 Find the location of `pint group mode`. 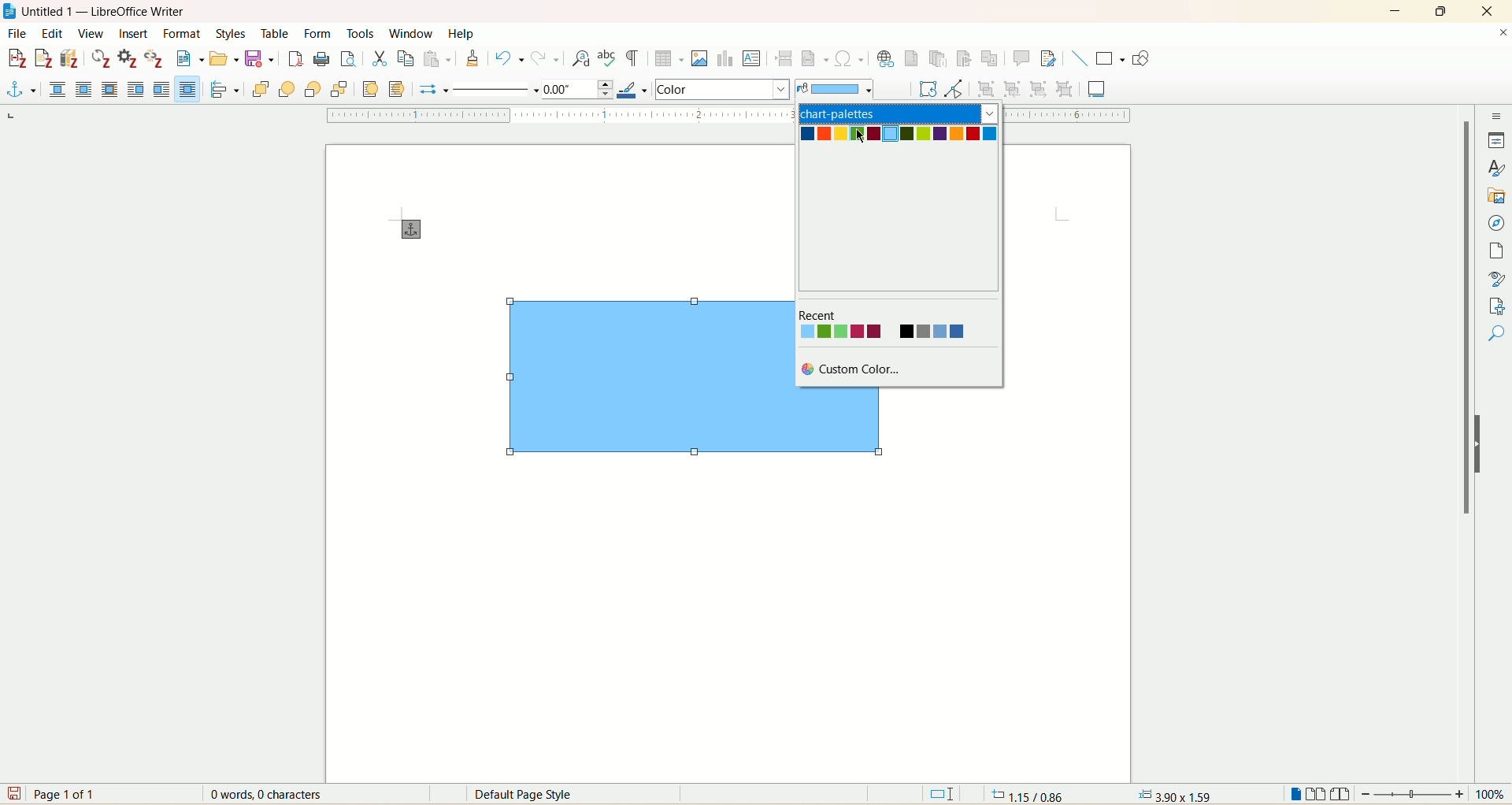

pint group mode is located at coordinates (954, 89).